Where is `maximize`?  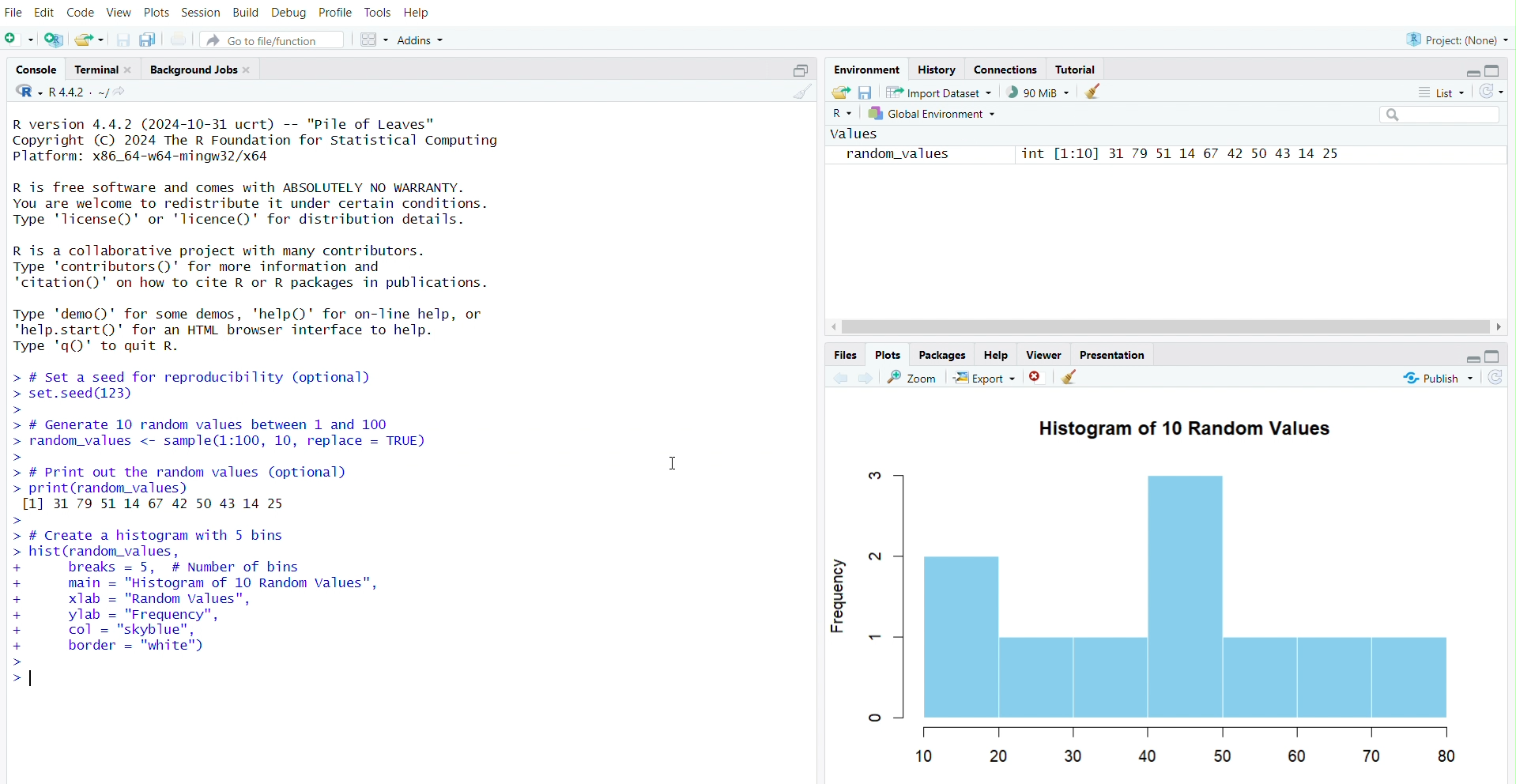 maximize is located at coordinates (1500, 69).